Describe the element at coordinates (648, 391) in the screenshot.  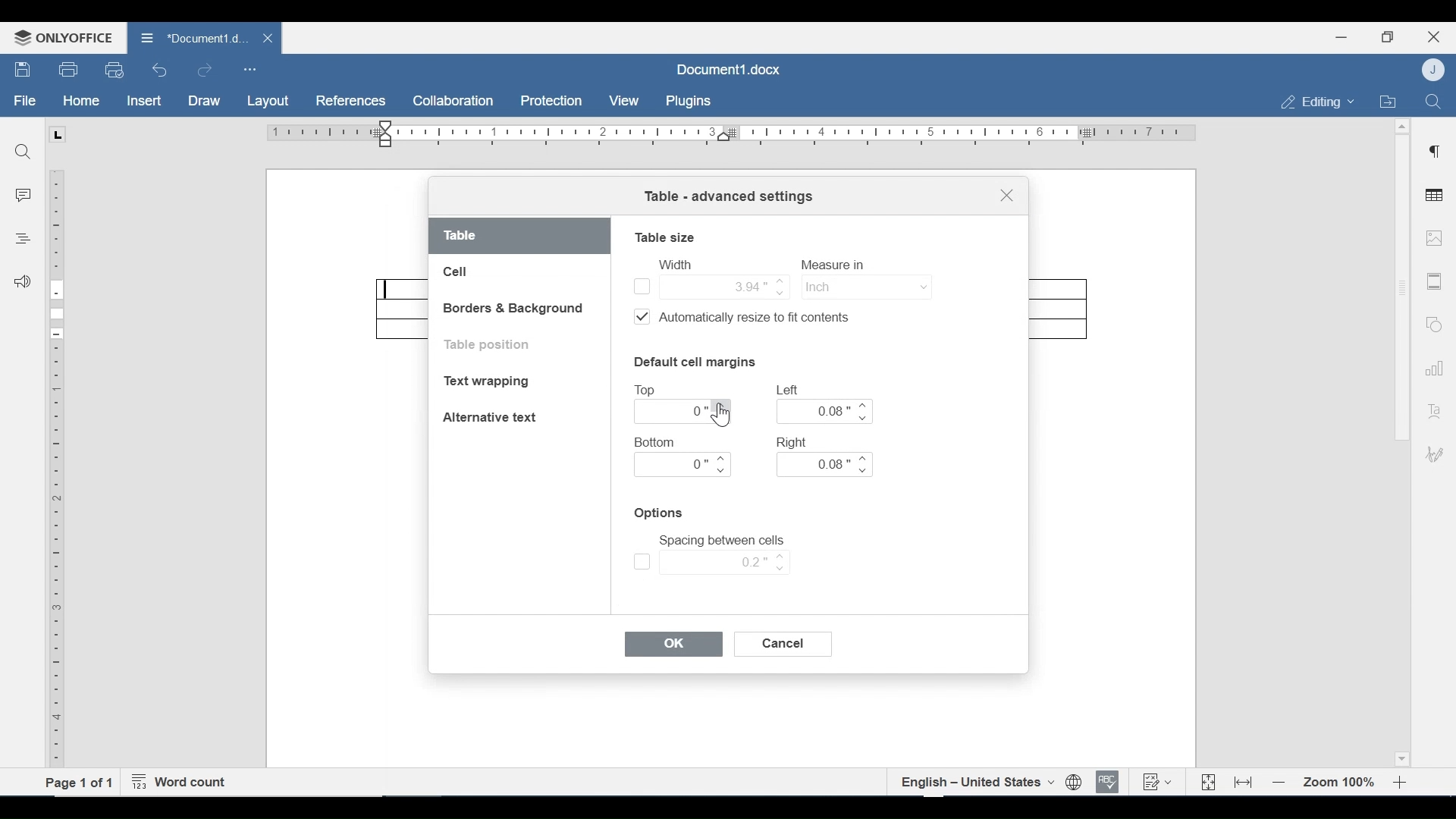
I see `Top` at that location.